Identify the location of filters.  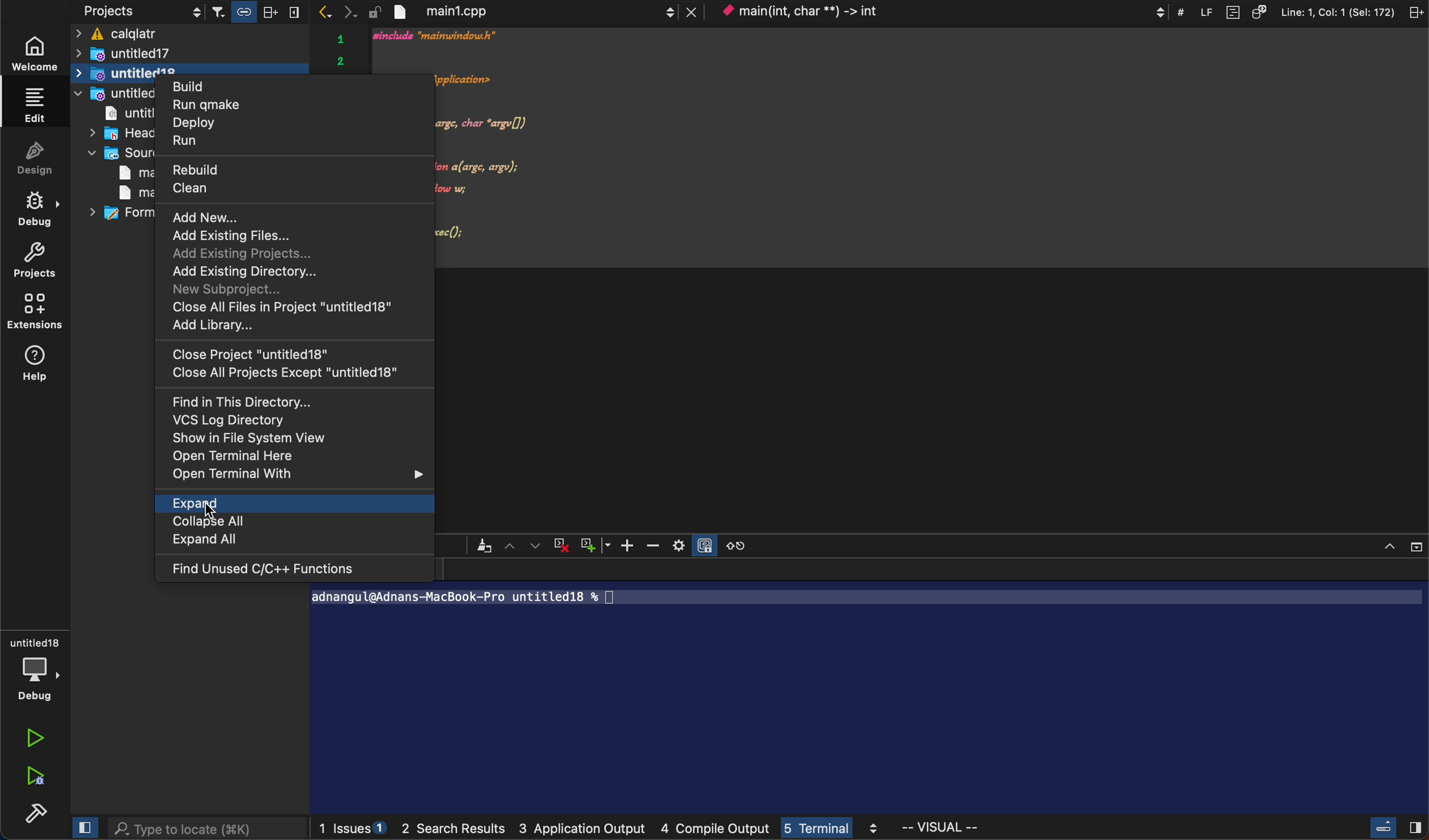
(213, 11).